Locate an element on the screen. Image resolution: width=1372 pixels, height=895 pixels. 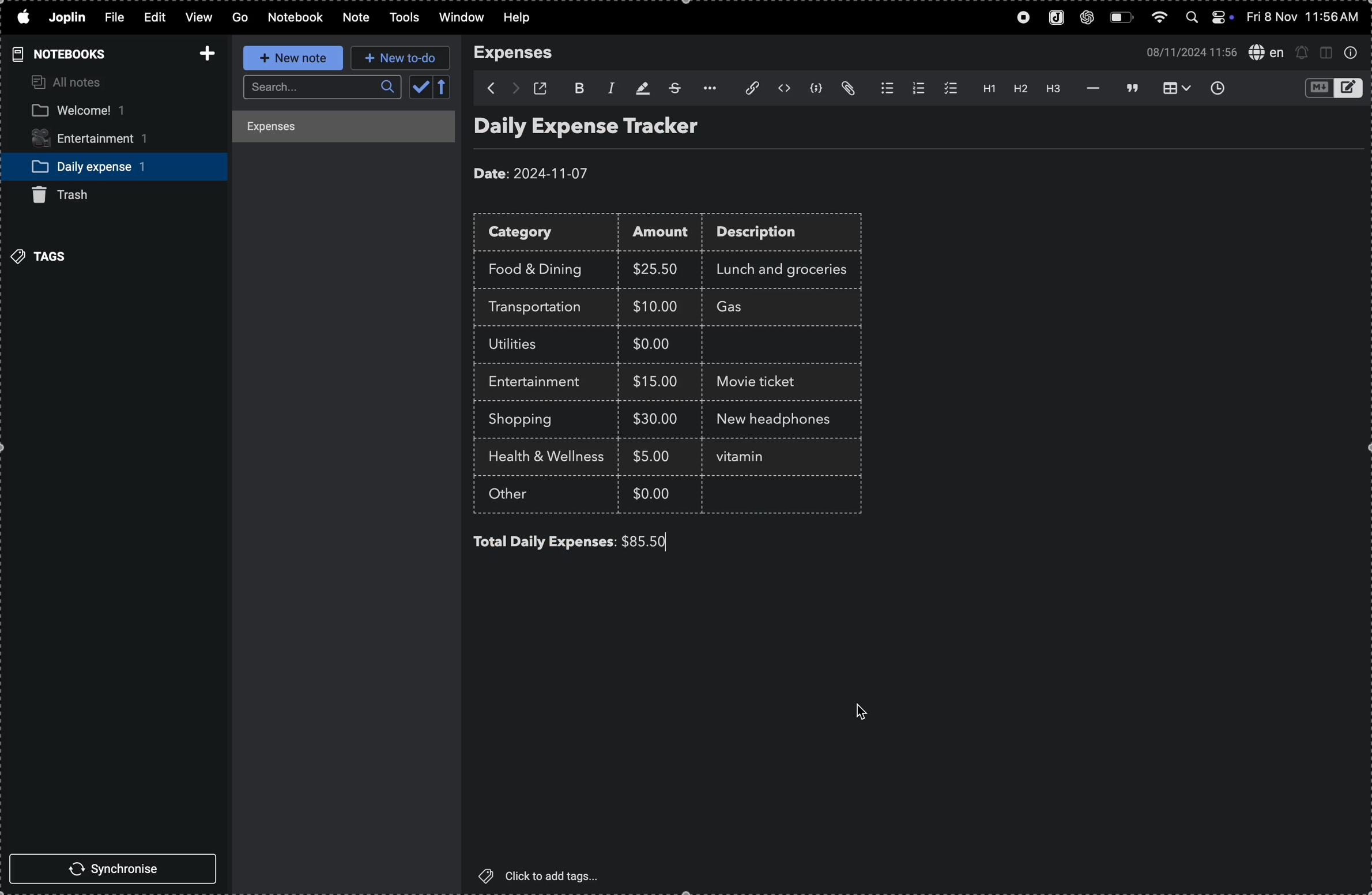
synchronise is located at coordinates (118, 870).